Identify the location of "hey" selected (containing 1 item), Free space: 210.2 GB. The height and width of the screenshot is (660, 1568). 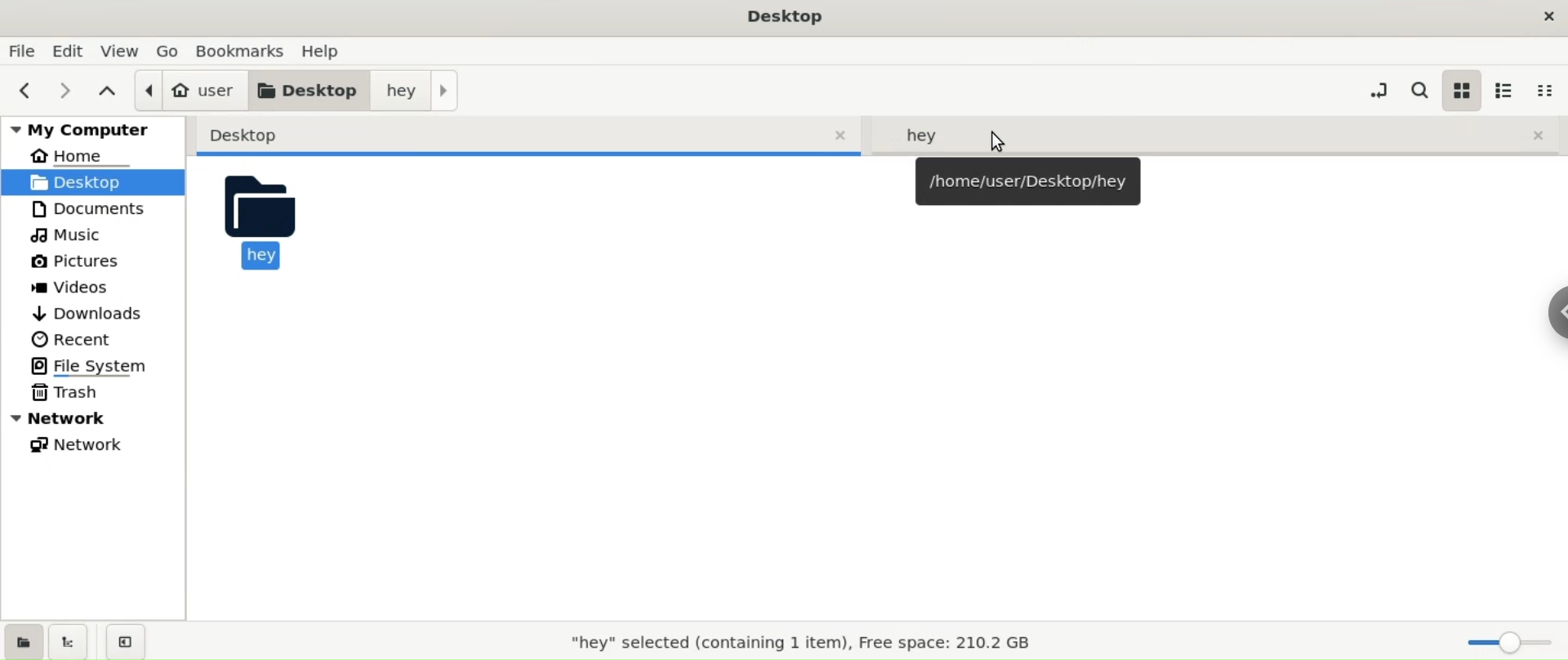
(800, 641).